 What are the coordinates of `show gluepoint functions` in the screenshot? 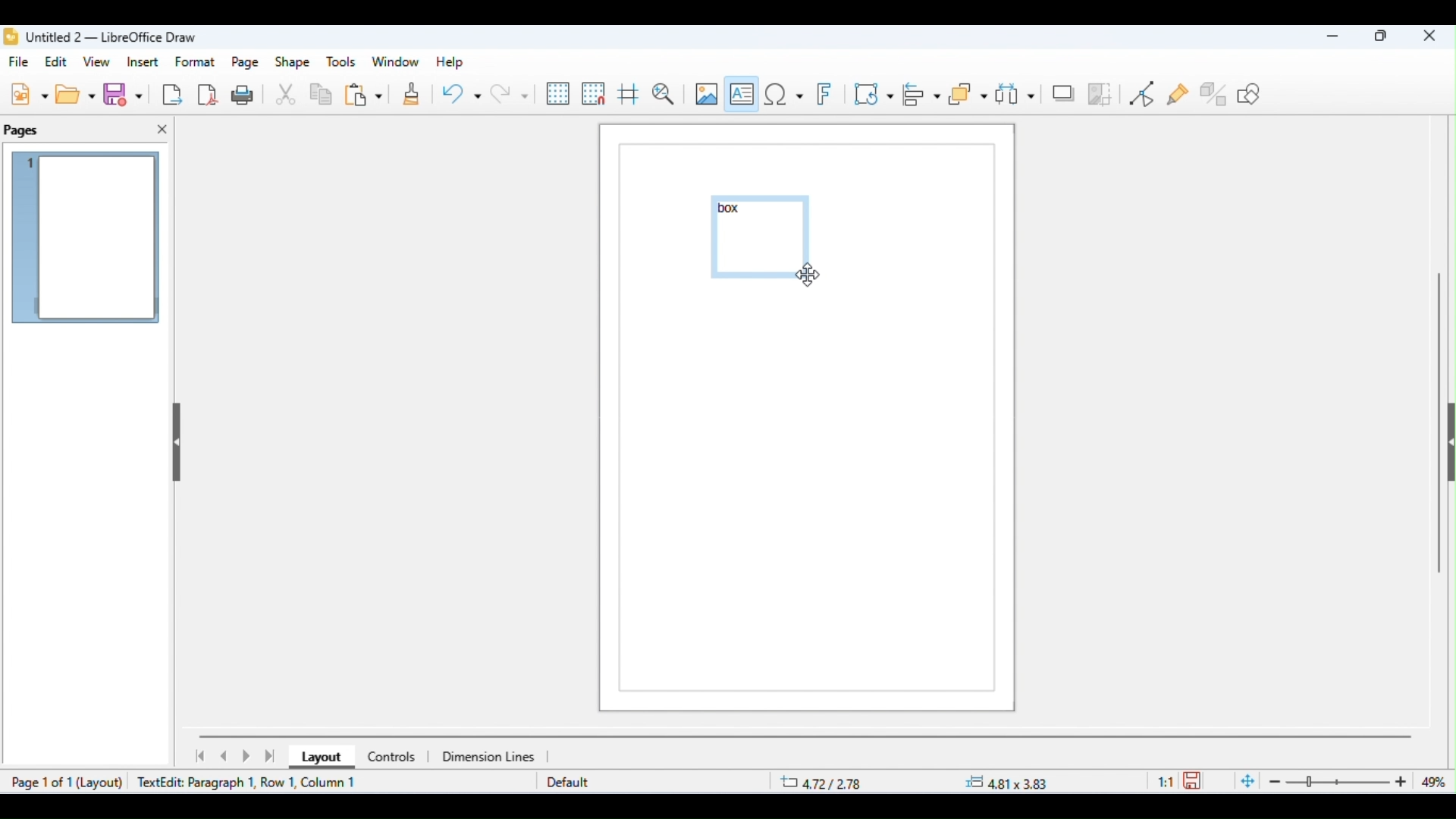 It's located at (1179, 96).